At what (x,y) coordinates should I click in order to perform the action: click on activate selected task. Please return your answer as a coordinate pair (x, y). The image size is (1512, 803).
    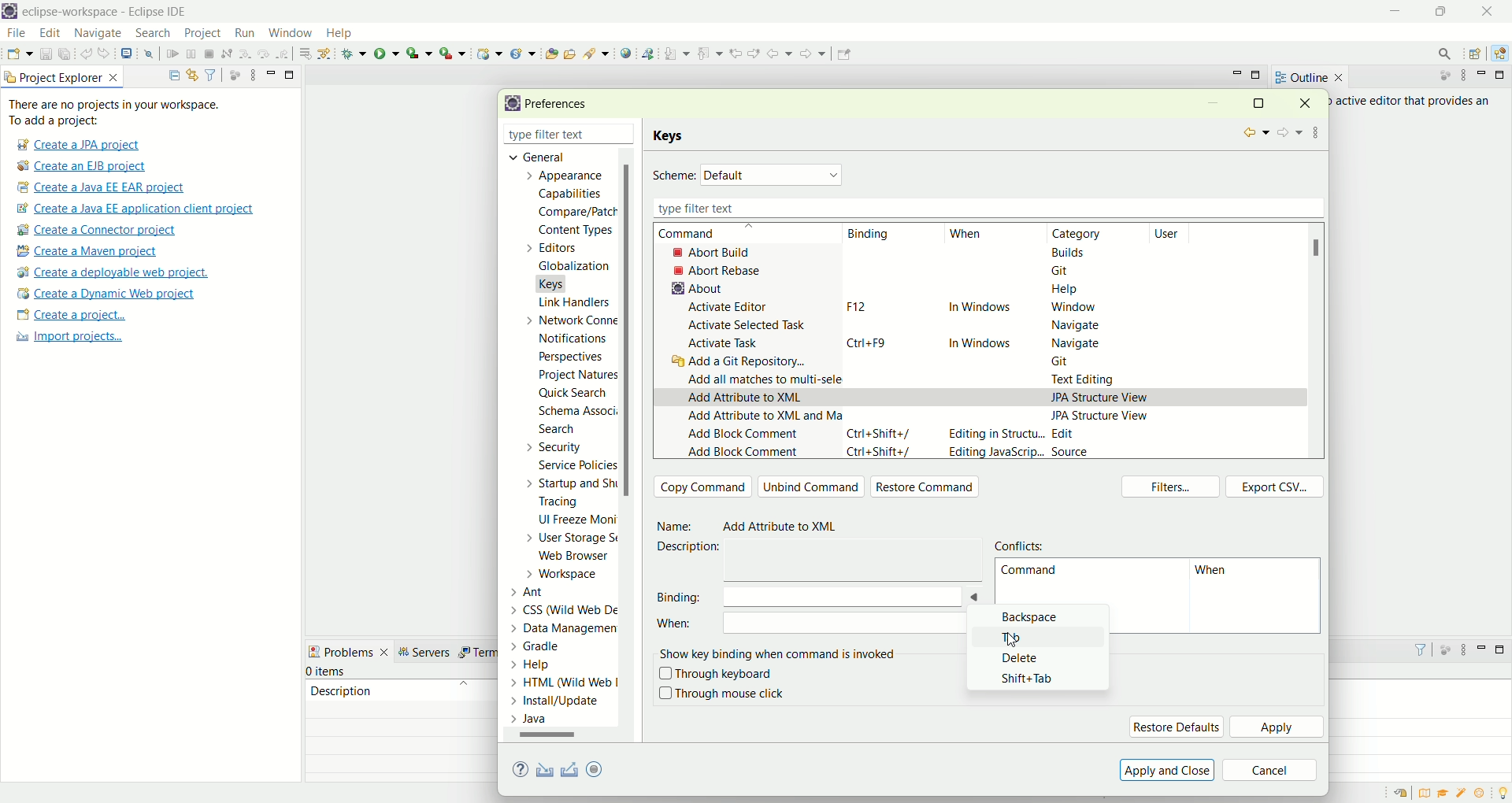
    Looking at the image, I should click on (748, 324).